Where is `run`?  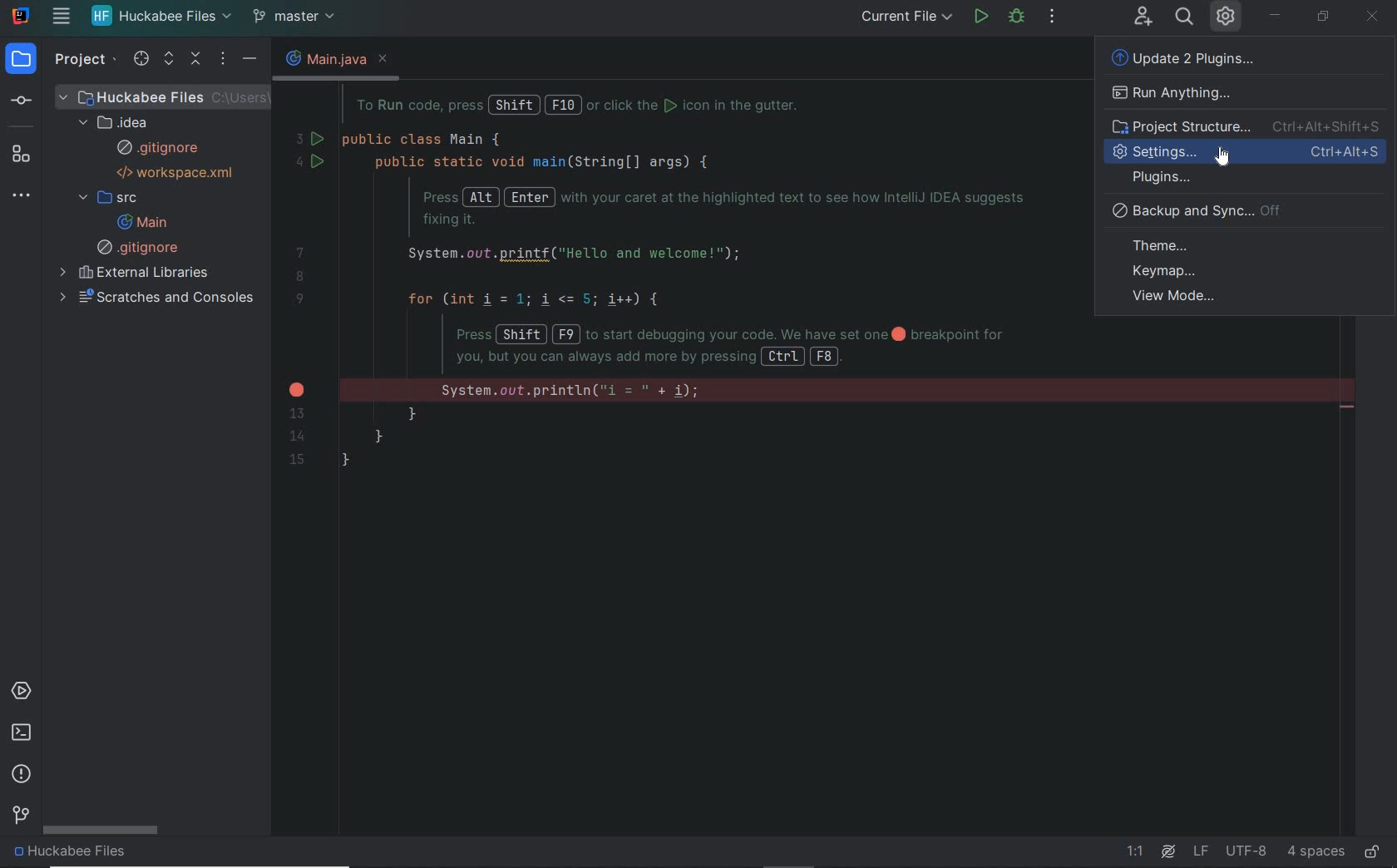 run is located at coordinates (980, 18).